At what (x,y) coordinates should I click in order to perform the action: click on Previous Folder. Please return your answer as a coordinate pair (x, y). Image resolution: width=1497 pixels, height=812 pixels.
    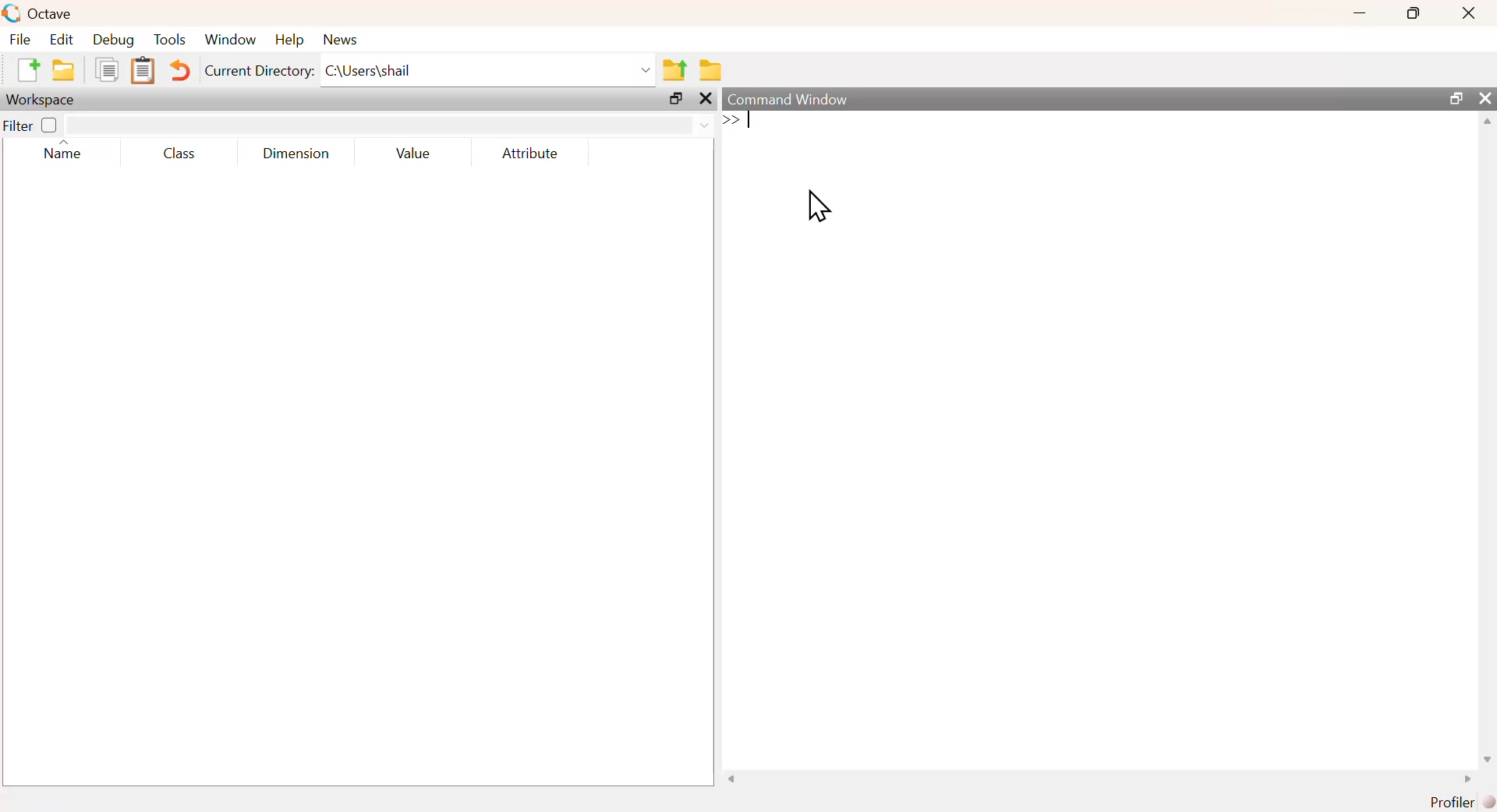
    Looking at the image, I should click on (674, 70).